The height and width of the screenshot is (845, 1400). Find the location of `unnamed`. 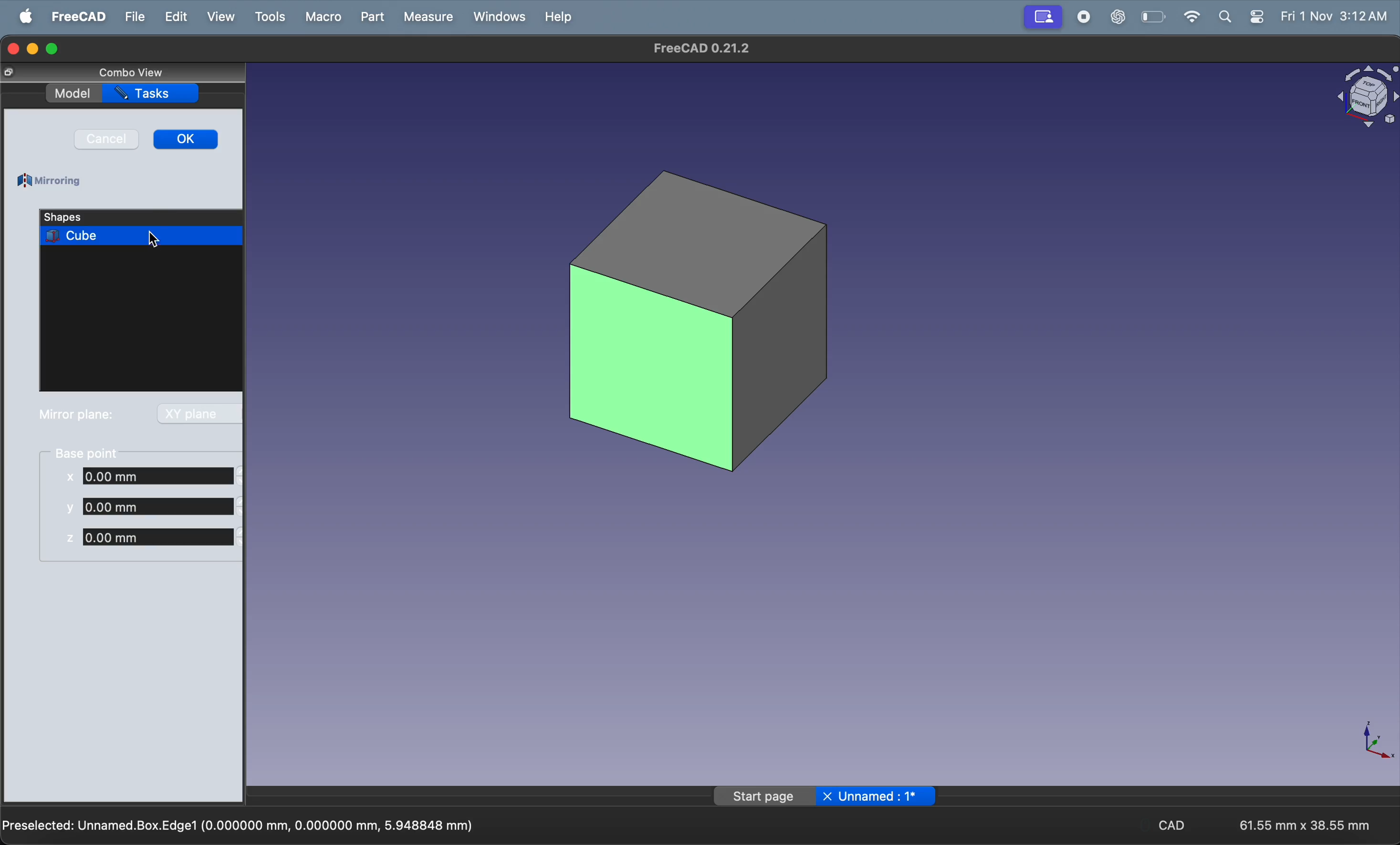

unnamed is located at coordinates (881, 797).